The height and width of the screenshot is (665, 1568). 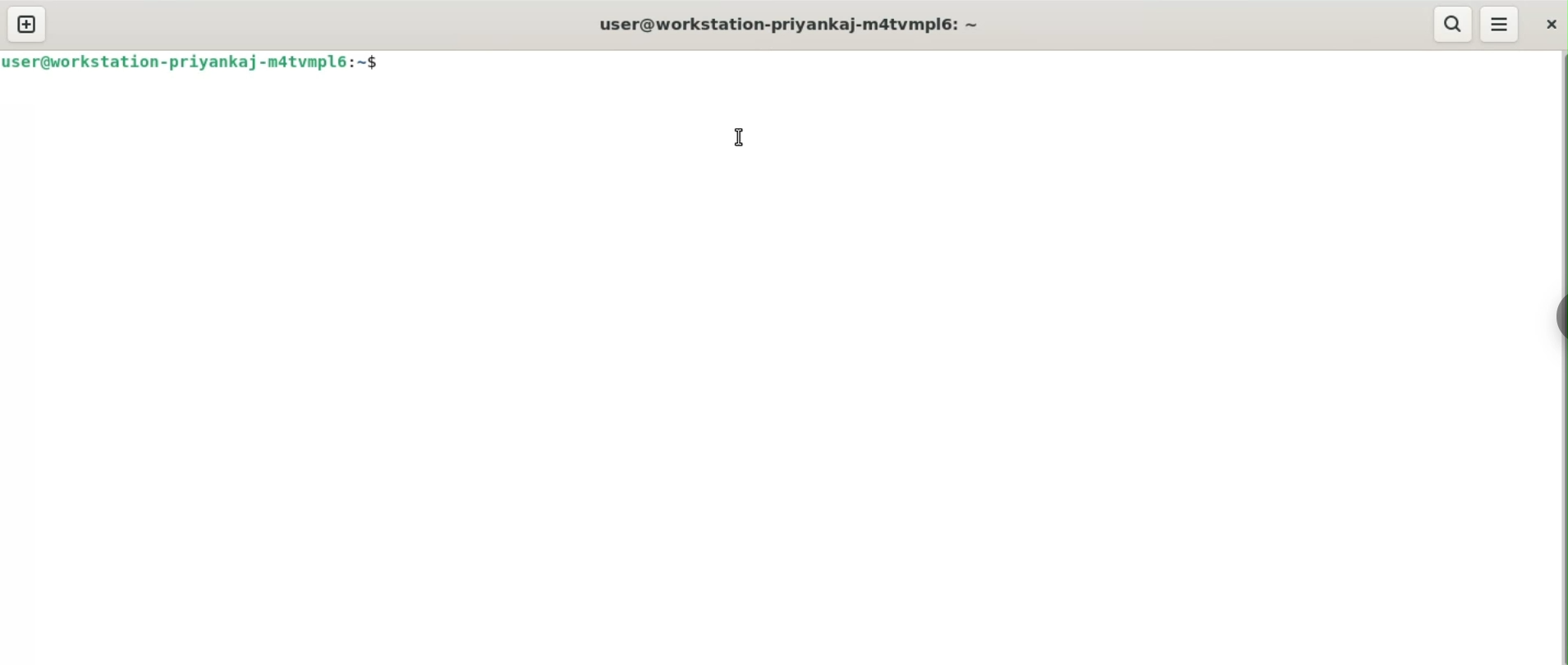 What do you see at coordinates (199, 62) in the screenshot?
I see `user@workstation-priyankaj-m4tvmpl6:-$` at bounding box center [199, 62].